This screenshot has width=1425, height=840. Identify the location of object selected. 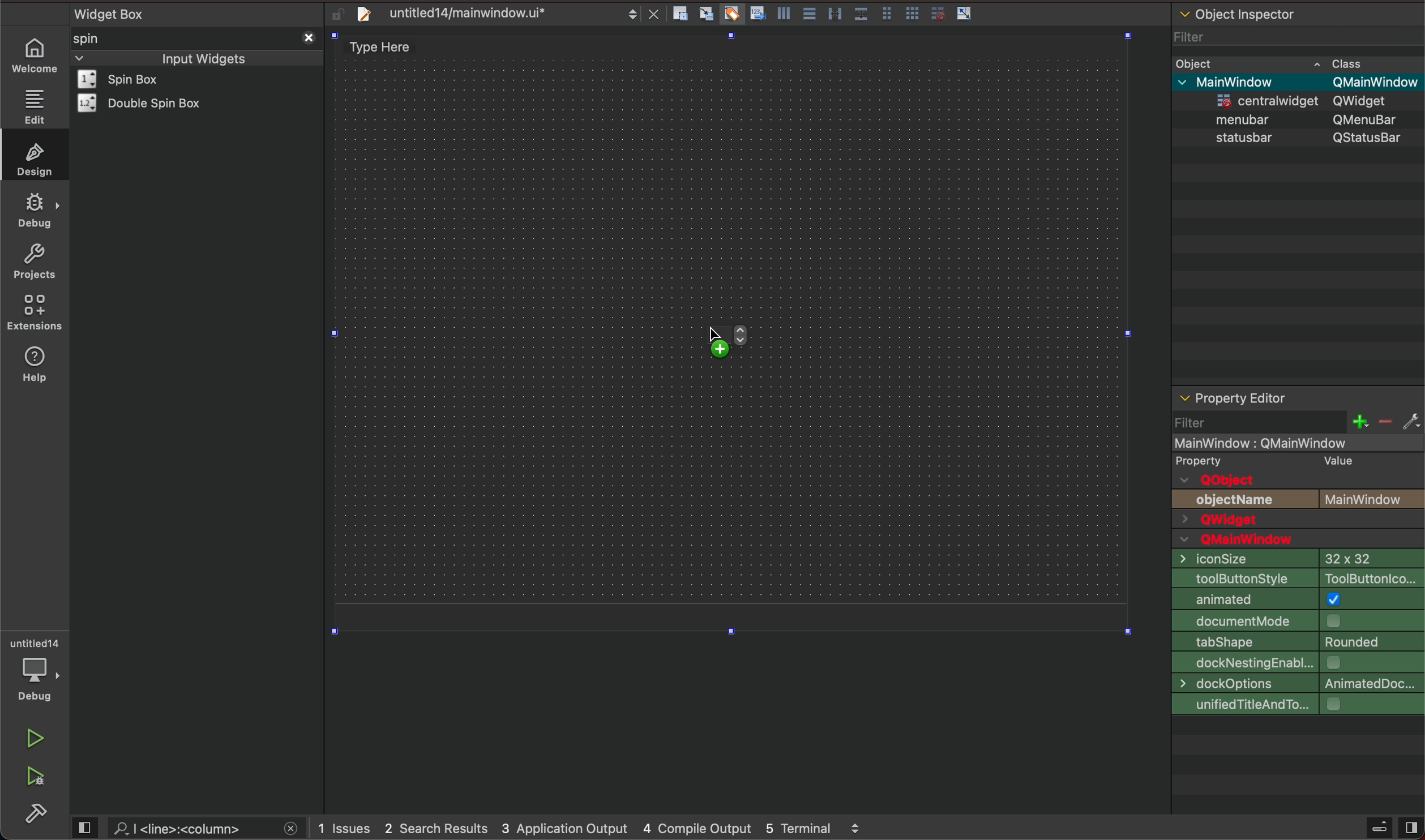
(1296, 442).